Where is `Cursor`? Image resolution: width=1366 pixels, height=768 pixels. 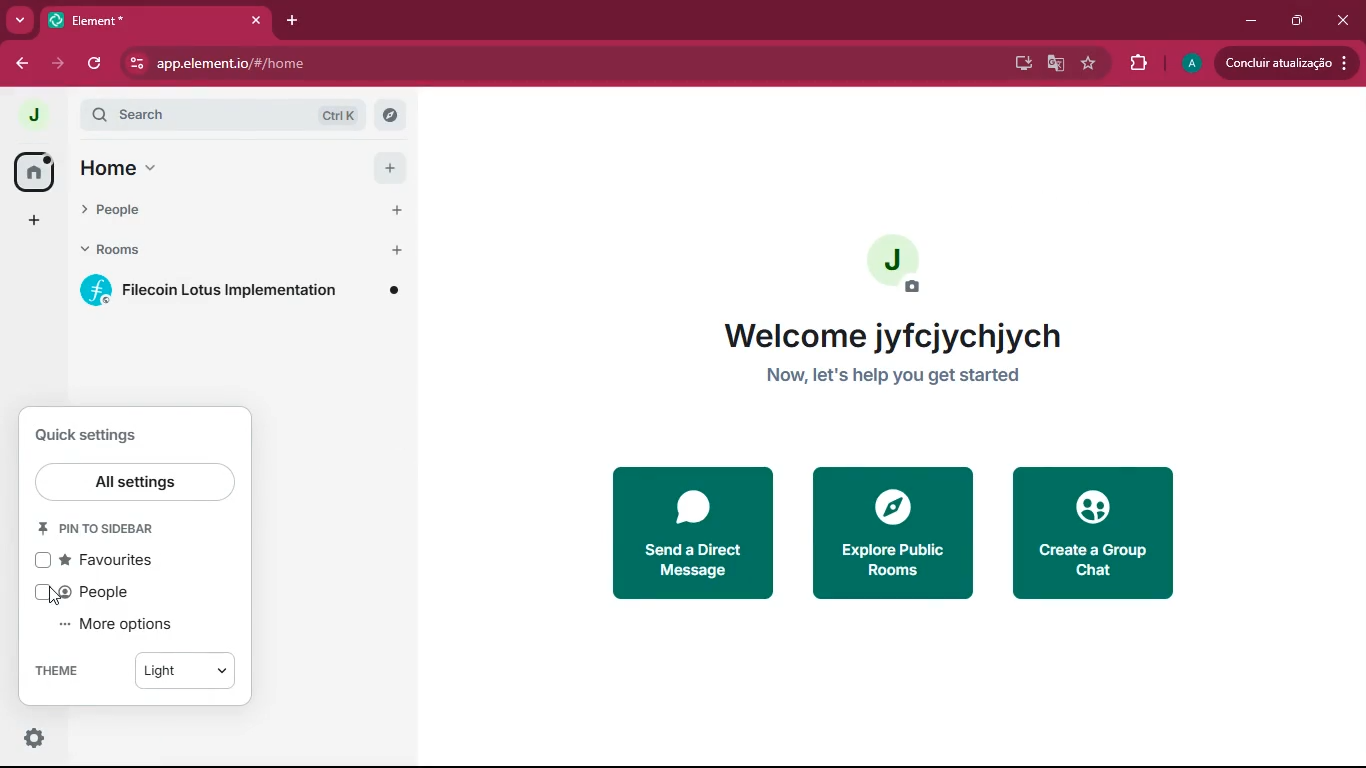 Cursor is located at coordinates (56, 594).